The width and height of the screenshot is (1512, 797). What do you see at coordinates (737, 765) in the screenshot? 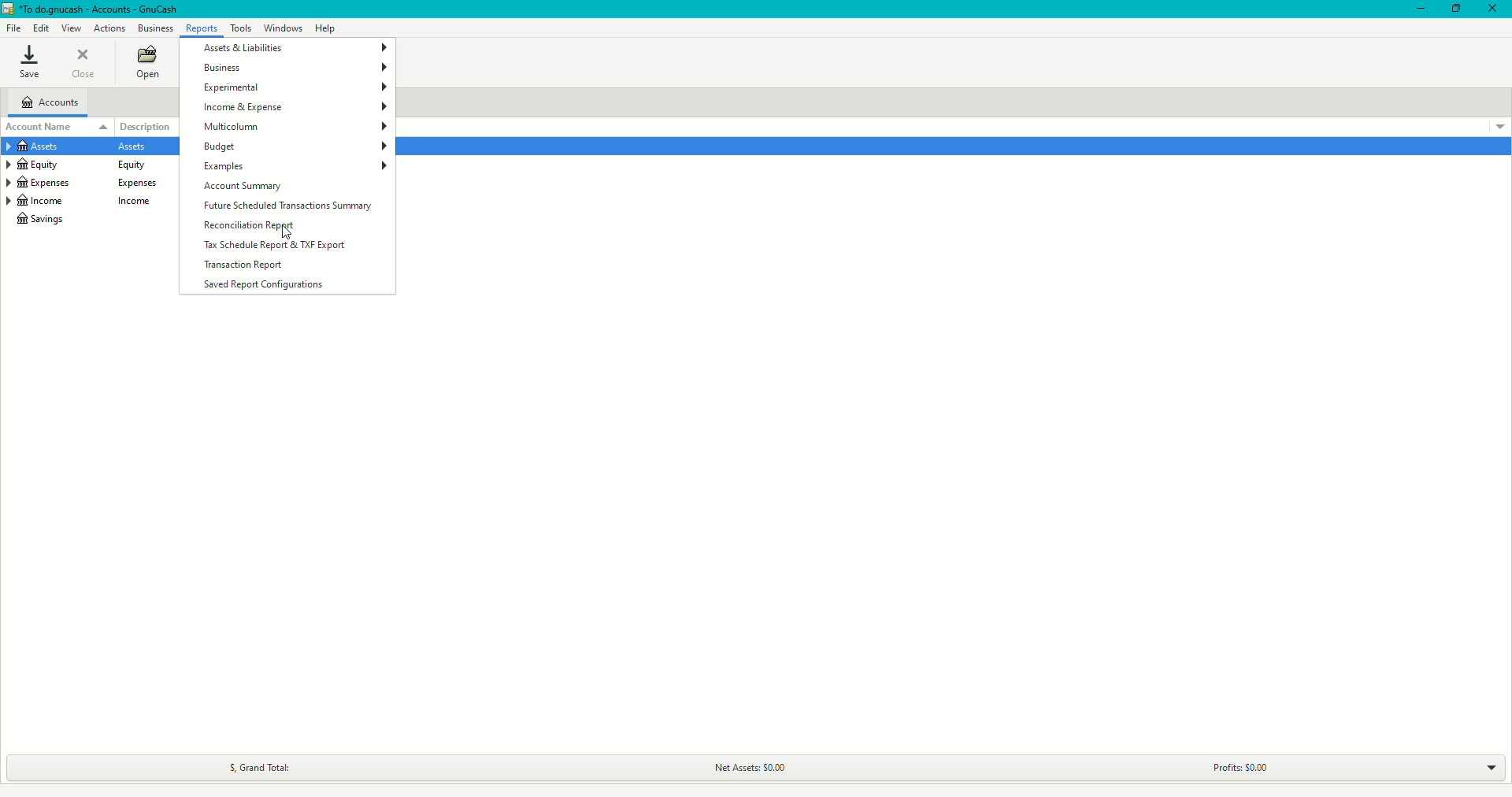
I see `Net Assets` at bounding box center [737, 765].